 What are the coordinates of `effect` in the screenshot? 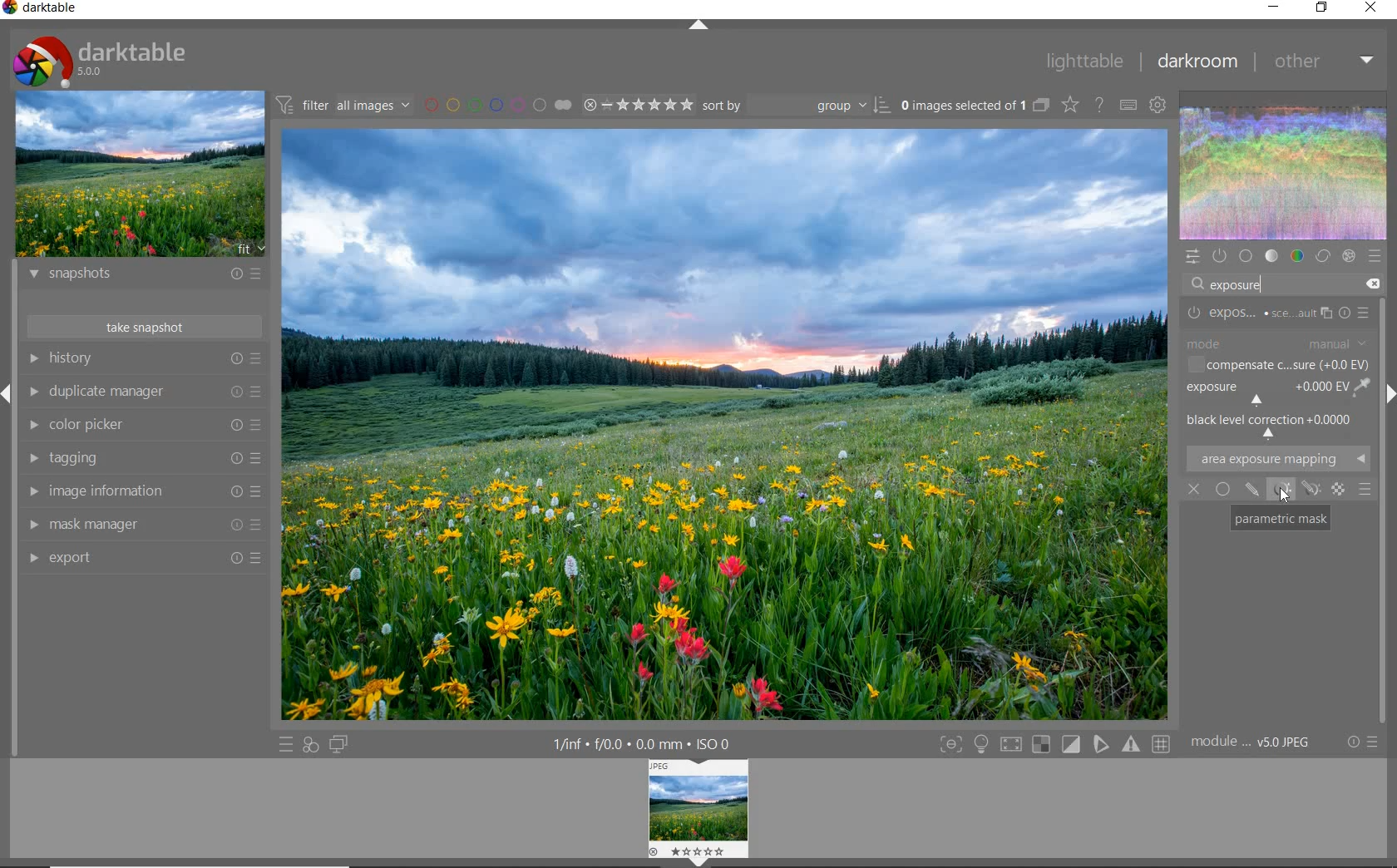 It's located at (1348, 258).